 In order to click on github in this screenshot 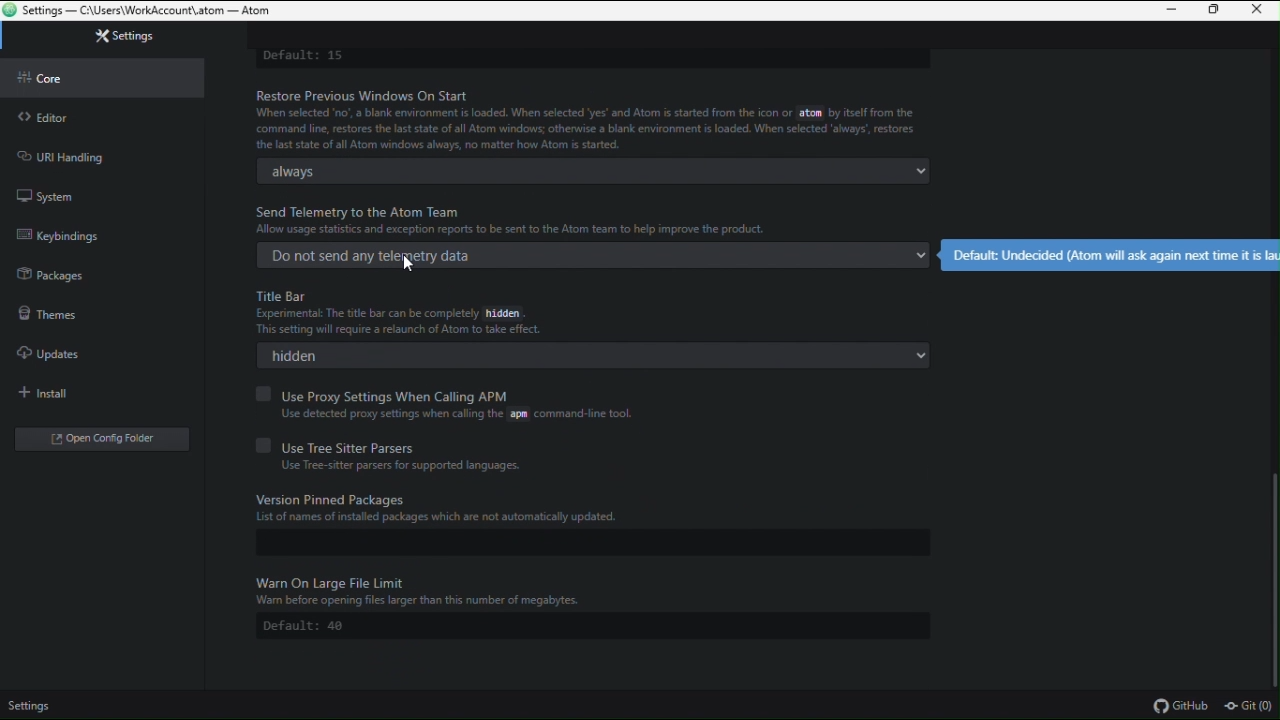, I will do `click(1181, 706)`.